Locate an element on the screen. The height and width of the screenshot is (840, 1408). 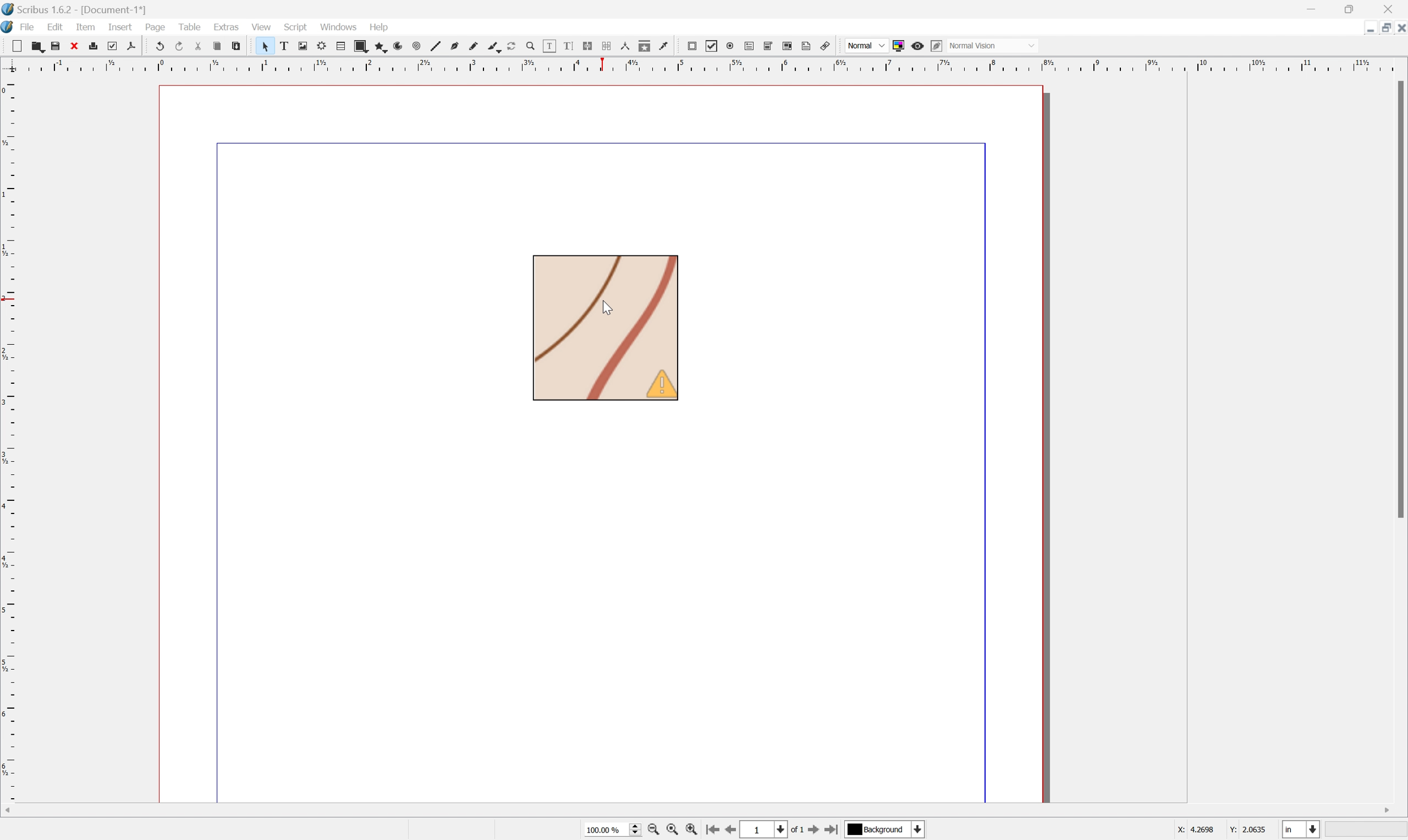
Copy item properties is located at coordinates (646, 45).